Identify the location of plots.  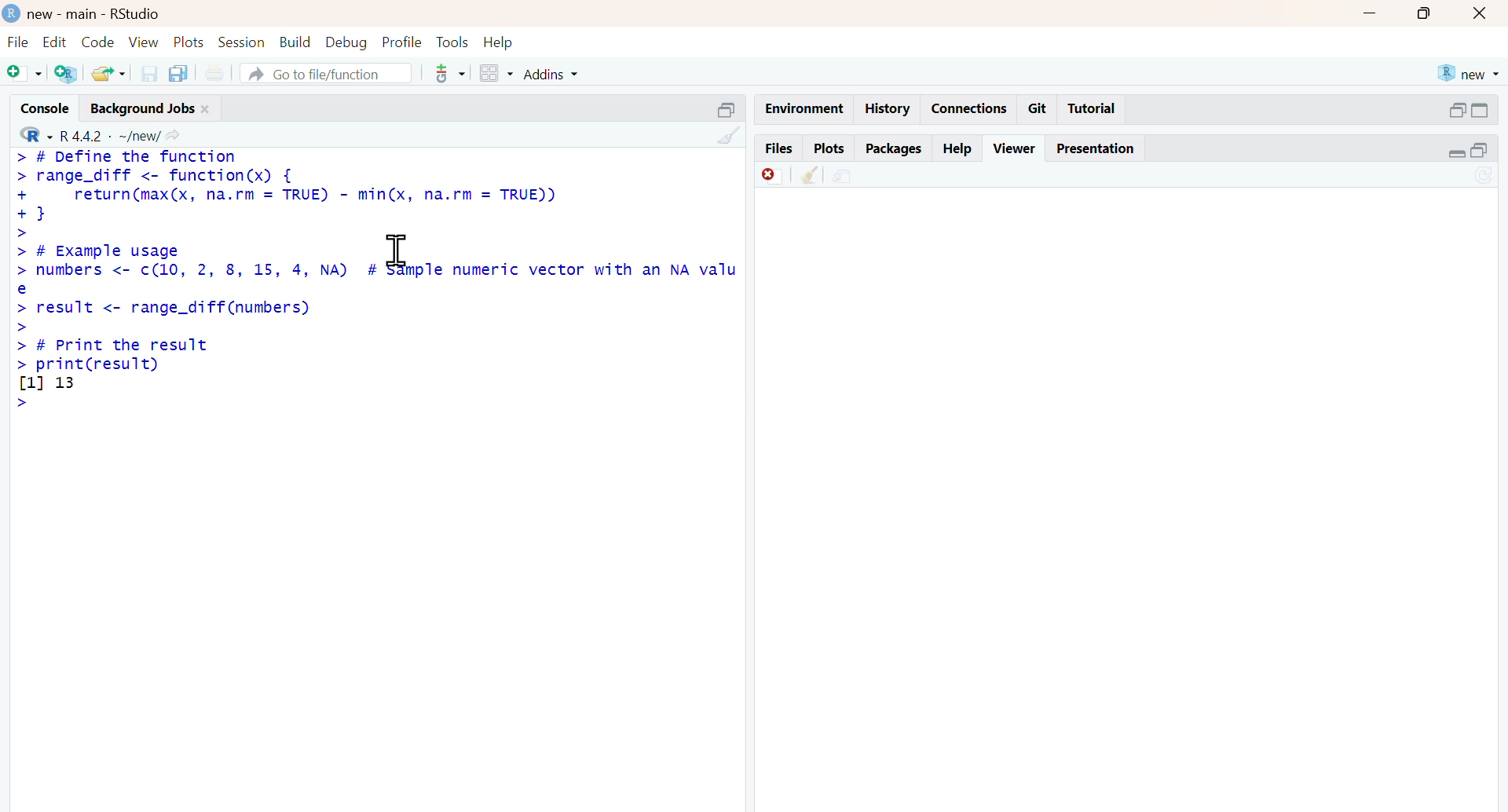
(829, 149).